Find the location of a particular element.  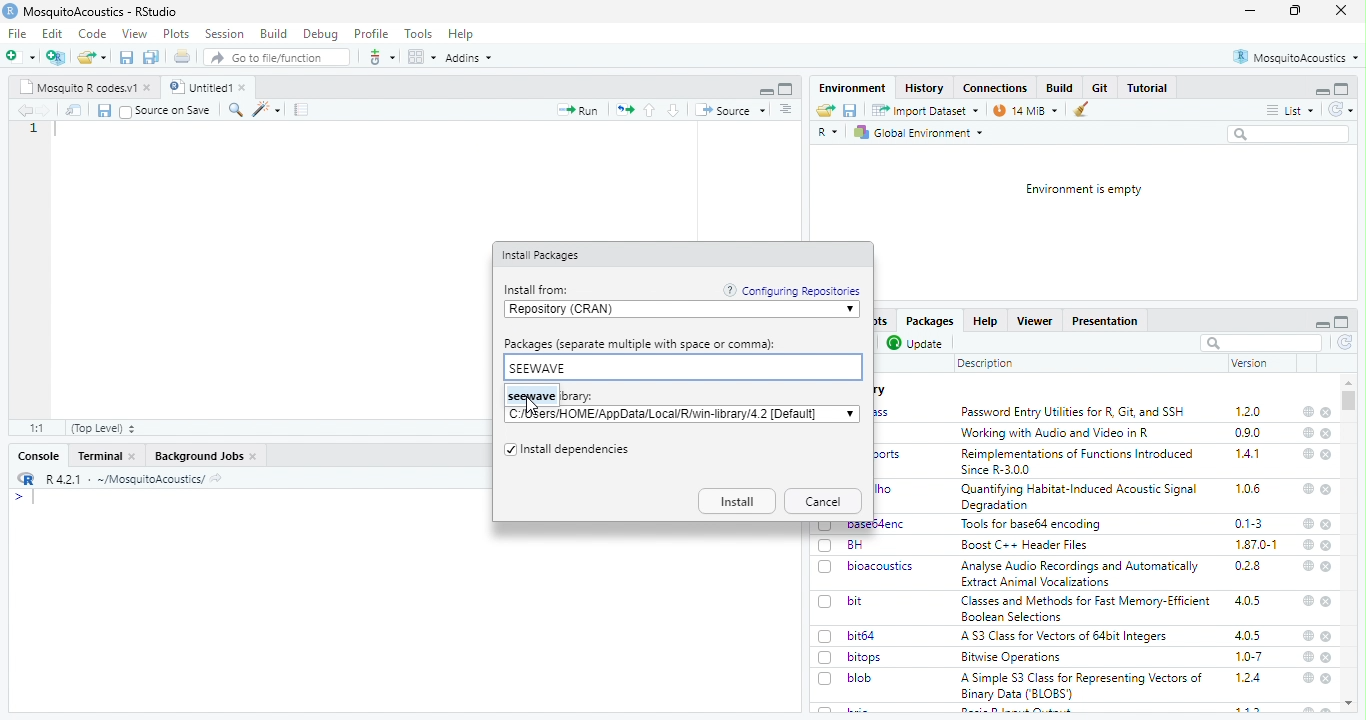

106 is located at coordinates (1248, 489).